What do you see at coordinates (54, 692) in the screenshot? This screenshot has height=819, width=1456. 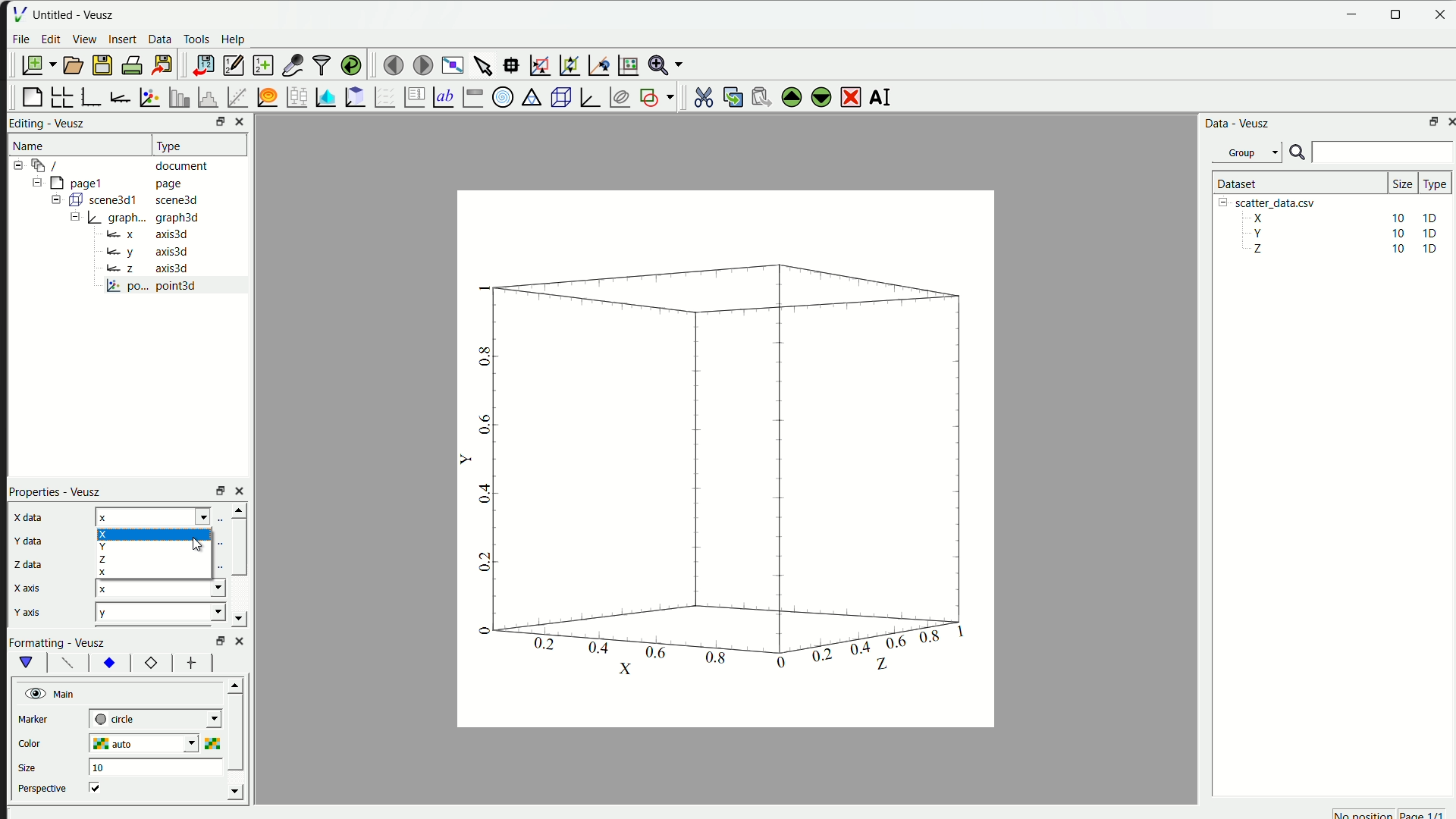 I see `Main` at bounding box center [54, 692].